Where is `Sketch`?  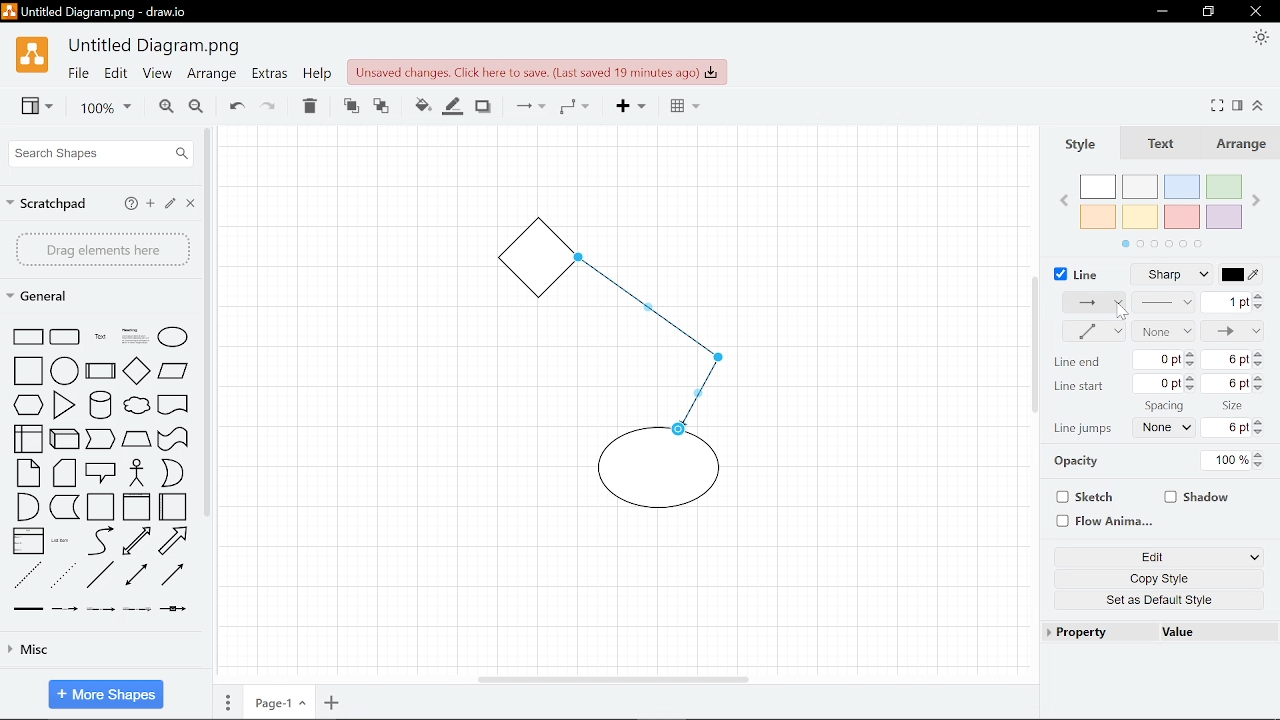
Sketch is located at coordinates (1081, 498).